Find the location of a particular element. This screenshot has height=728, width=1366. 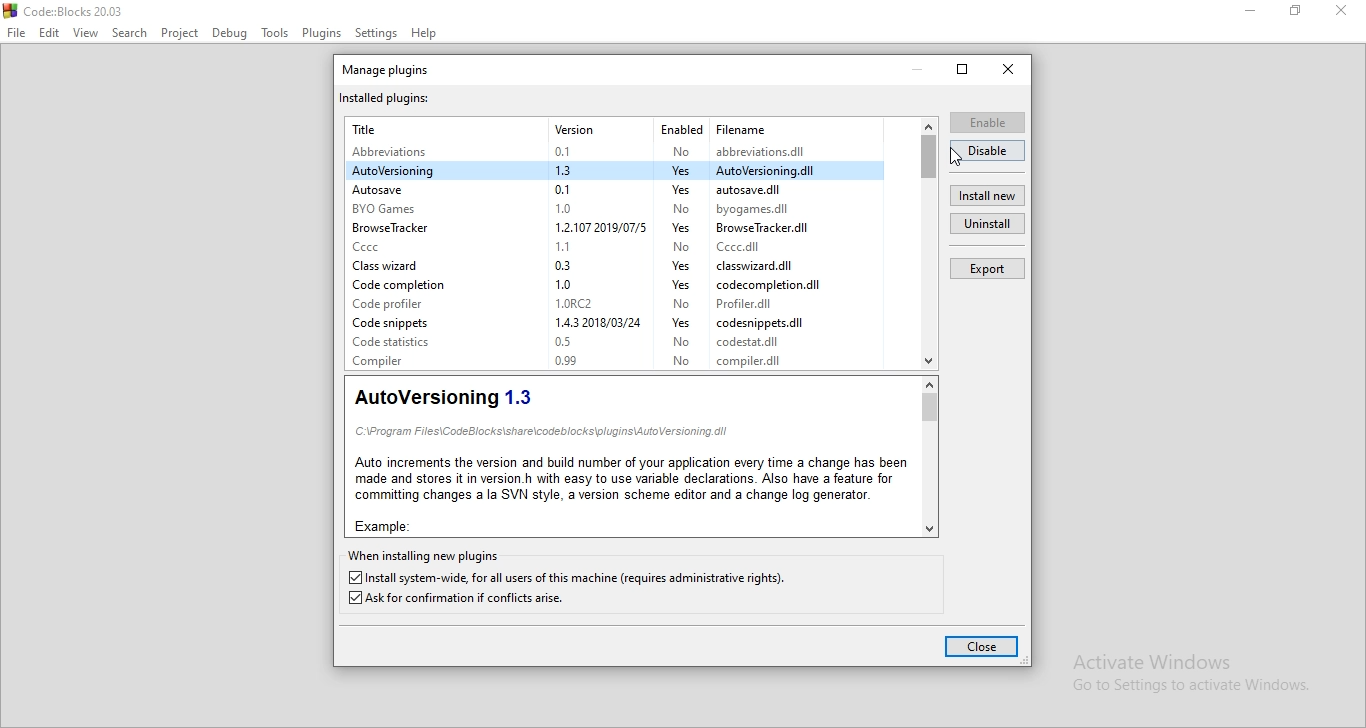

File is located at coordinates (15, 33).